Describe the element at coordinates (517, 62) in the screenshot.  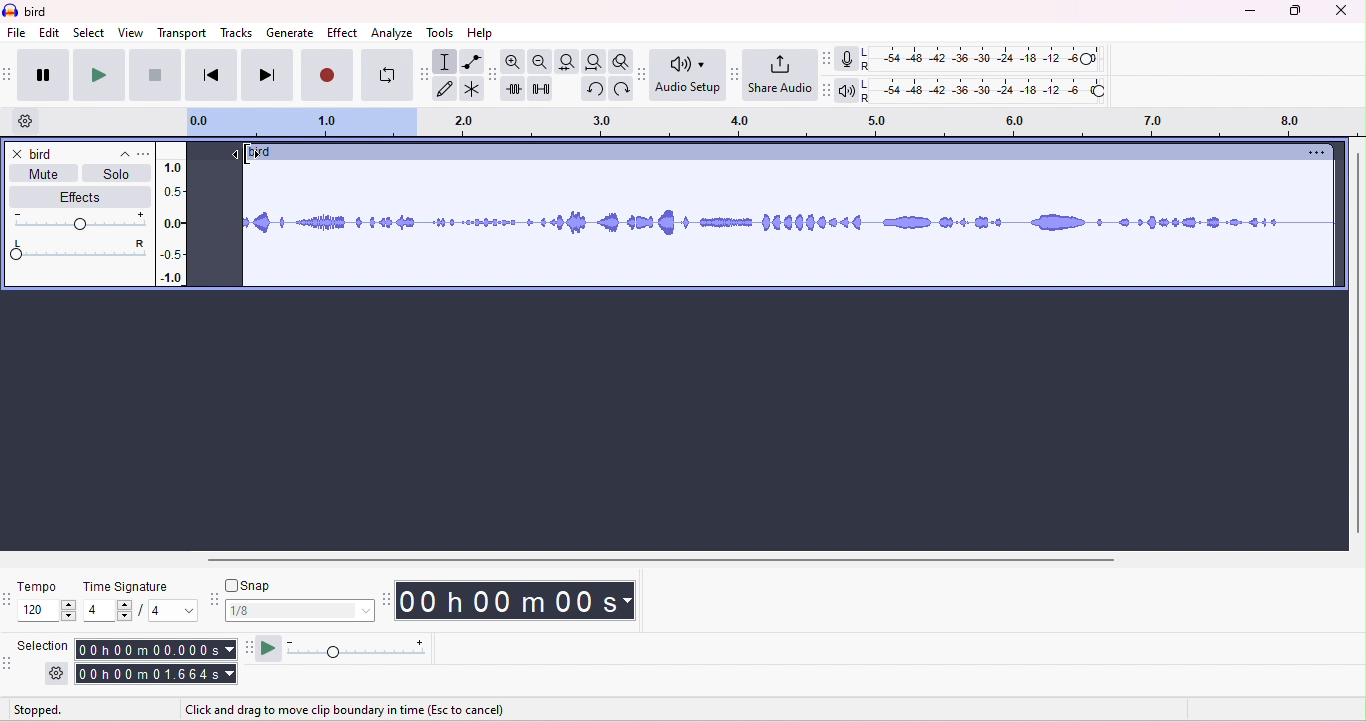
I see `zoom in` at that location.